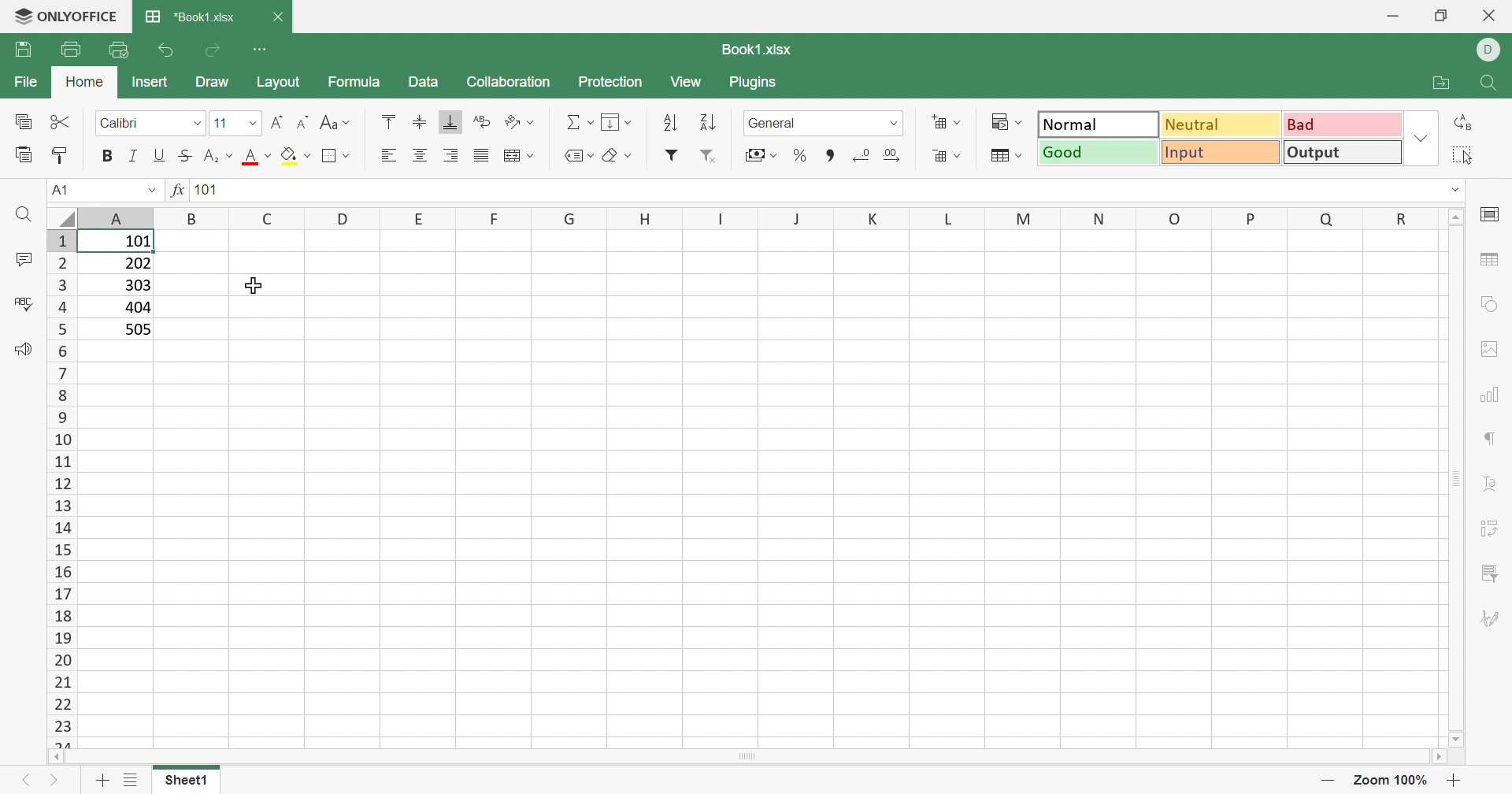 Image resolution: width=1512 pixels, height=794 pixels. I want to click on Column names, so click(758, 218).